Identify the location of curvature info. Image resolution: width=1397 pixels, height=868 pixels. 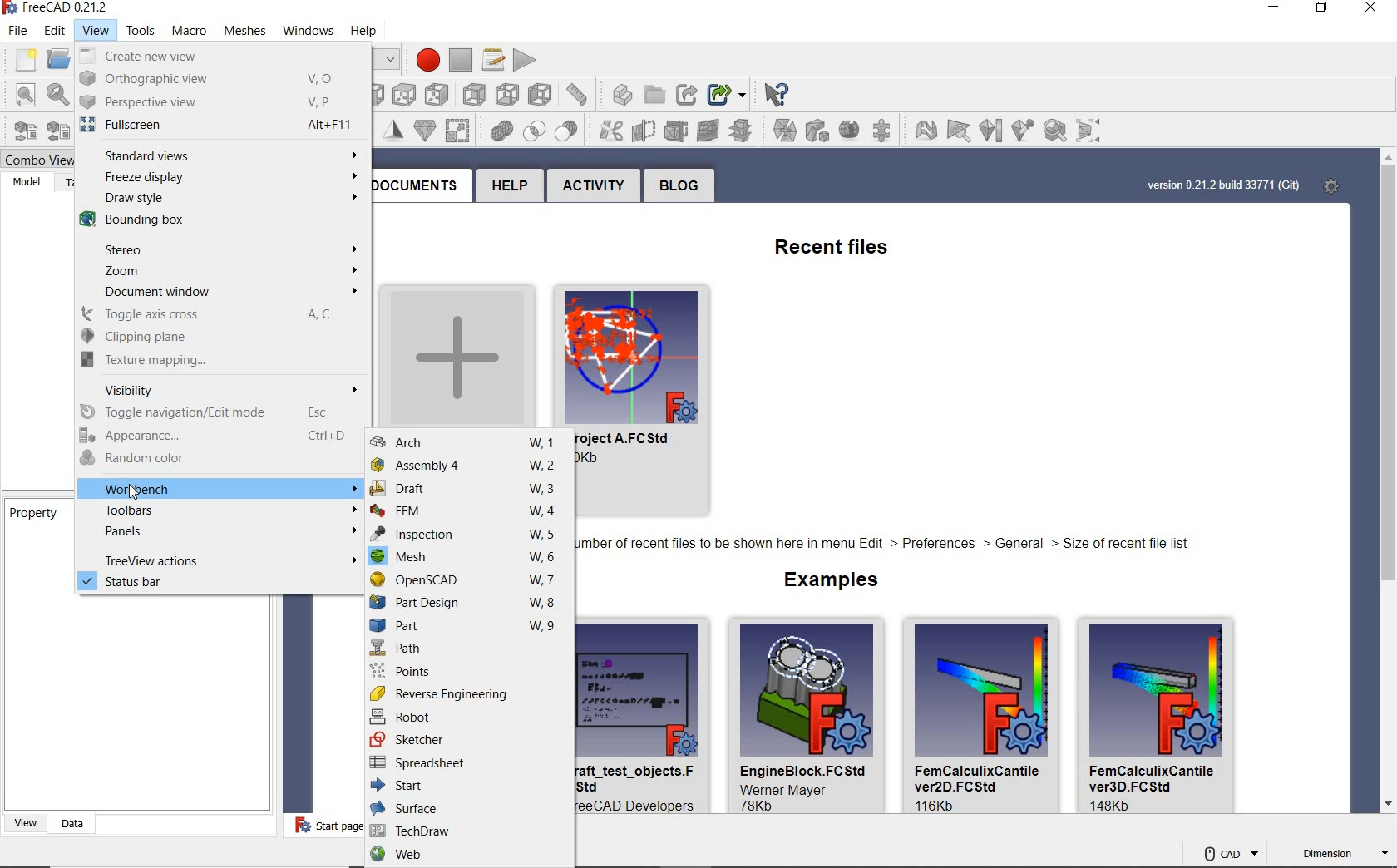
(1024, 128).